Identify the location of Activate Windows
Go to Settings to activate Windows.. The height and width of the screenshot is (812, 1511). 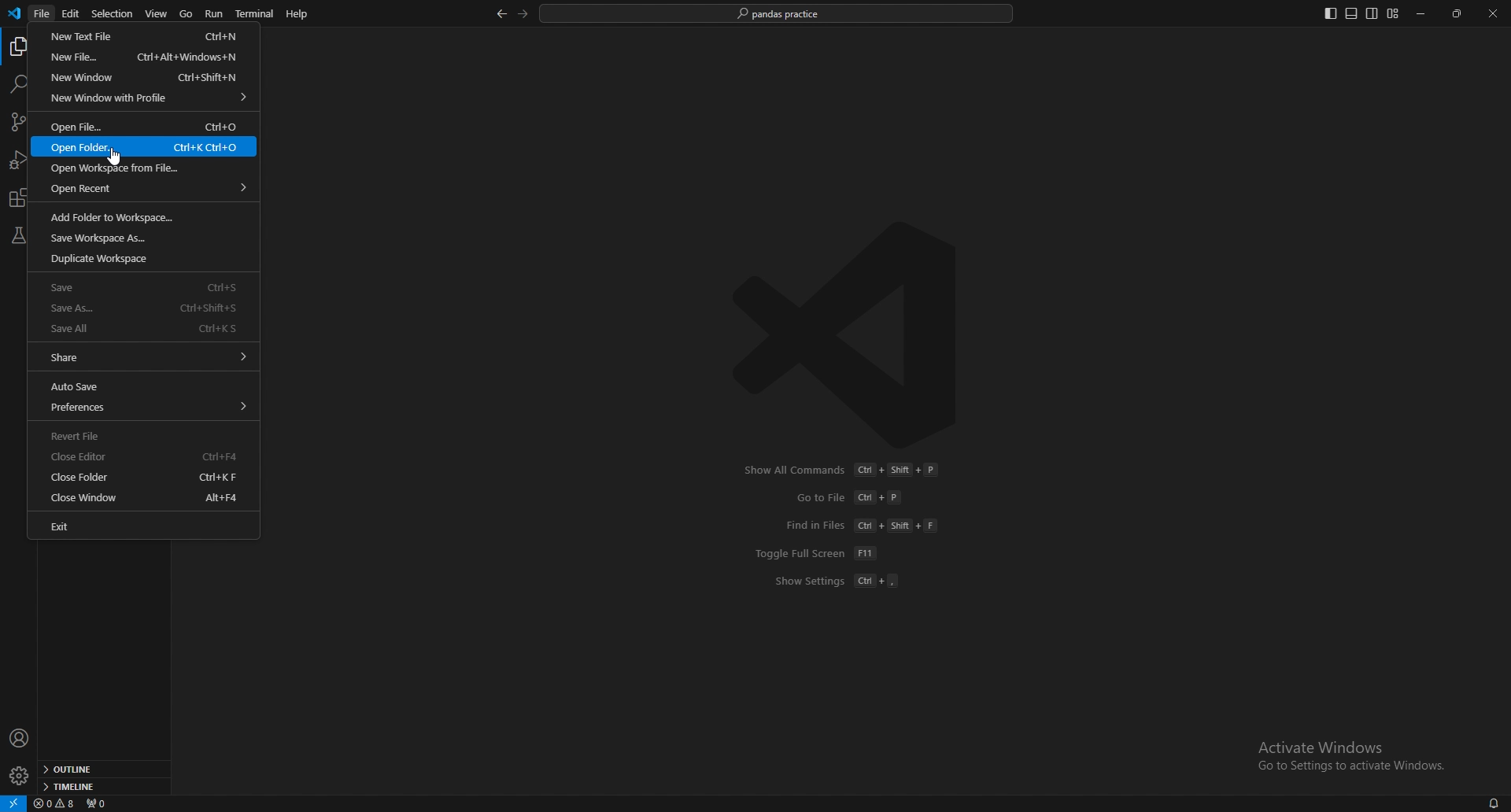
(1346, 755).